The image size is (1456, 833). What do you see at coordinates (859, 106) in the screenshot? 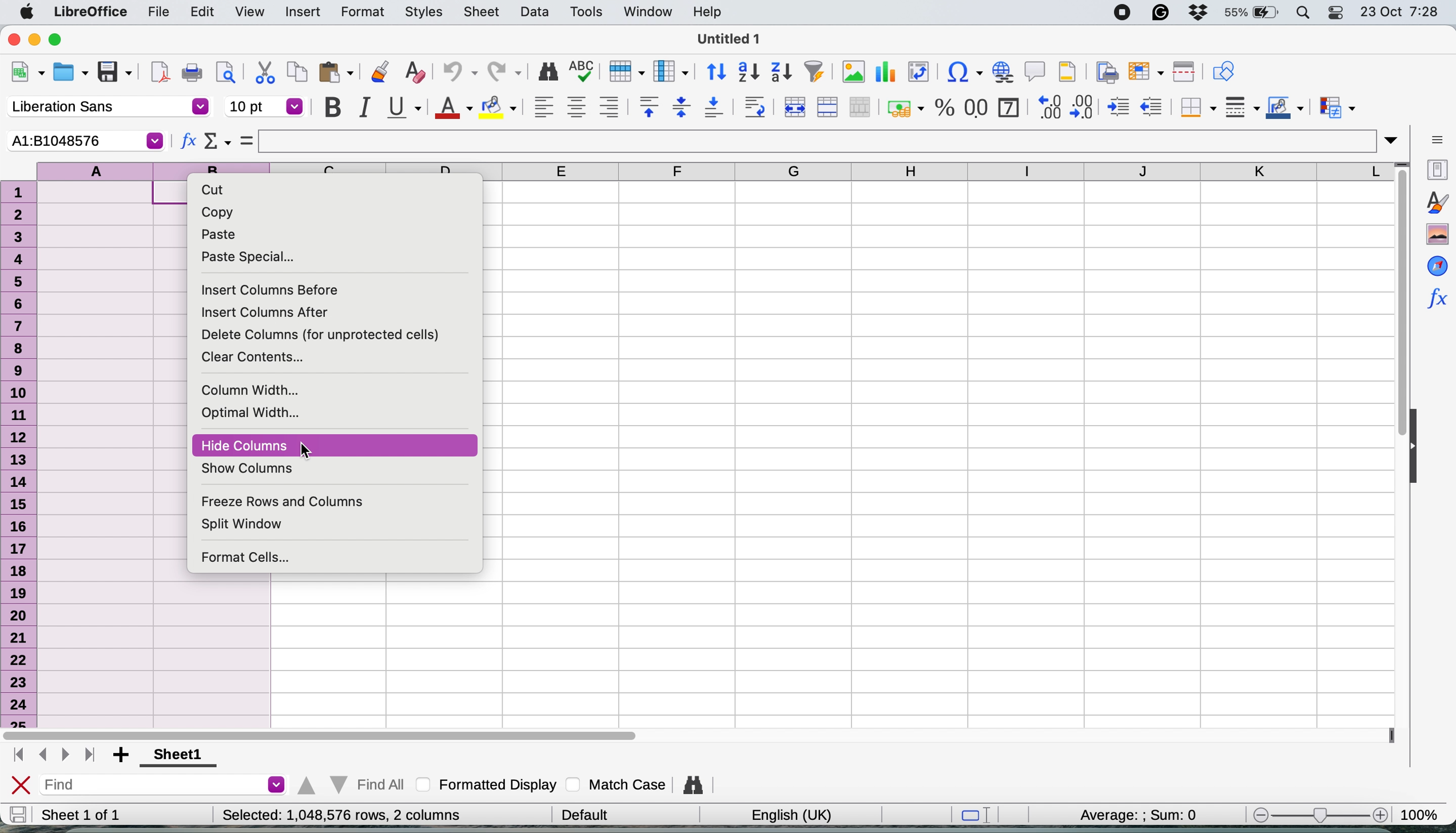
I see `unmerge` at bounding box center [859, 106].